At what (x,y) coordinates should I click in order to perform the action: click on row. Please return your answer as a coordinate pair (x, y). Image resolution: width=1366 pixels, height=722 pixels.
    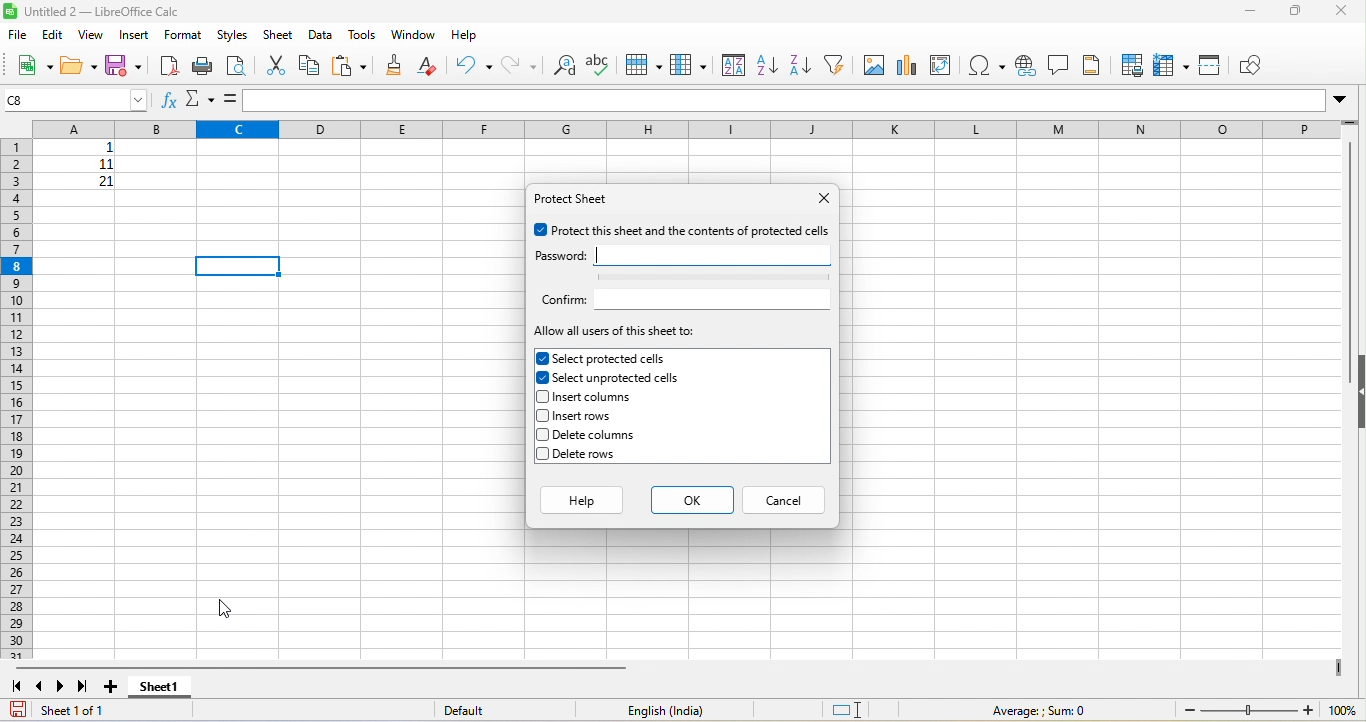
    Looking at the image, I should click on (642, 63).